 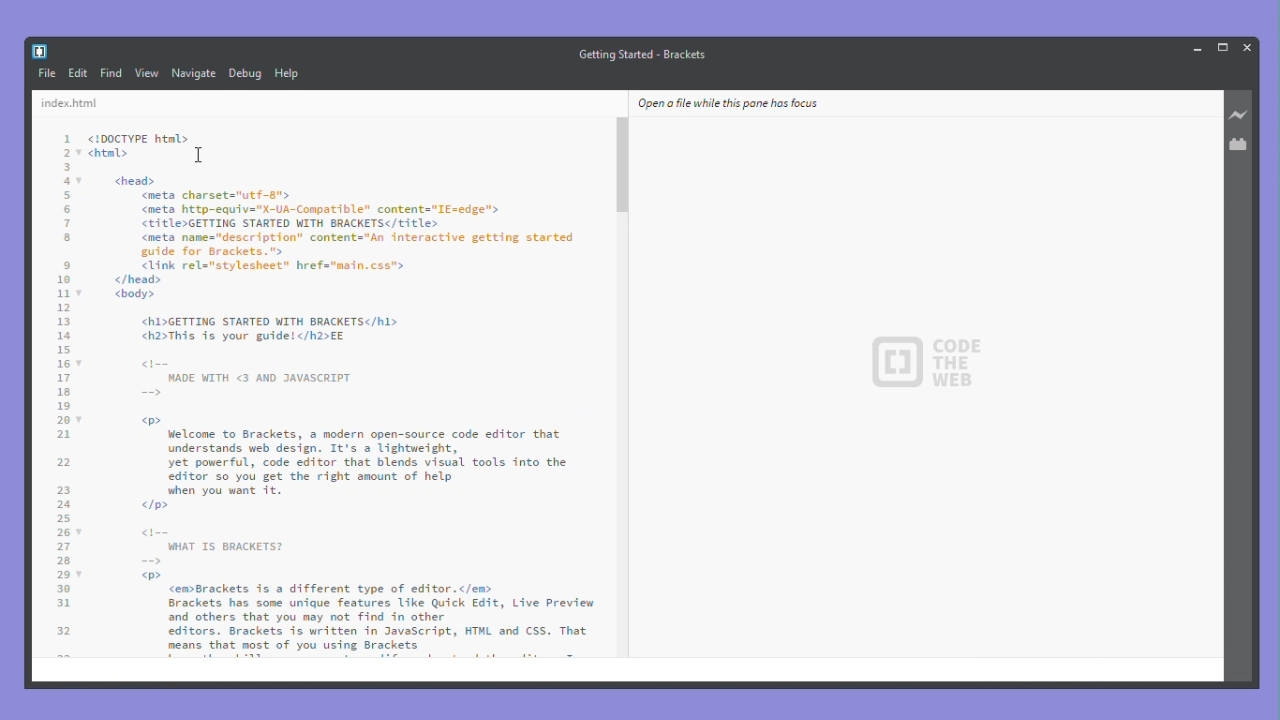 I want to click on 16, so click(x=64, y=365).